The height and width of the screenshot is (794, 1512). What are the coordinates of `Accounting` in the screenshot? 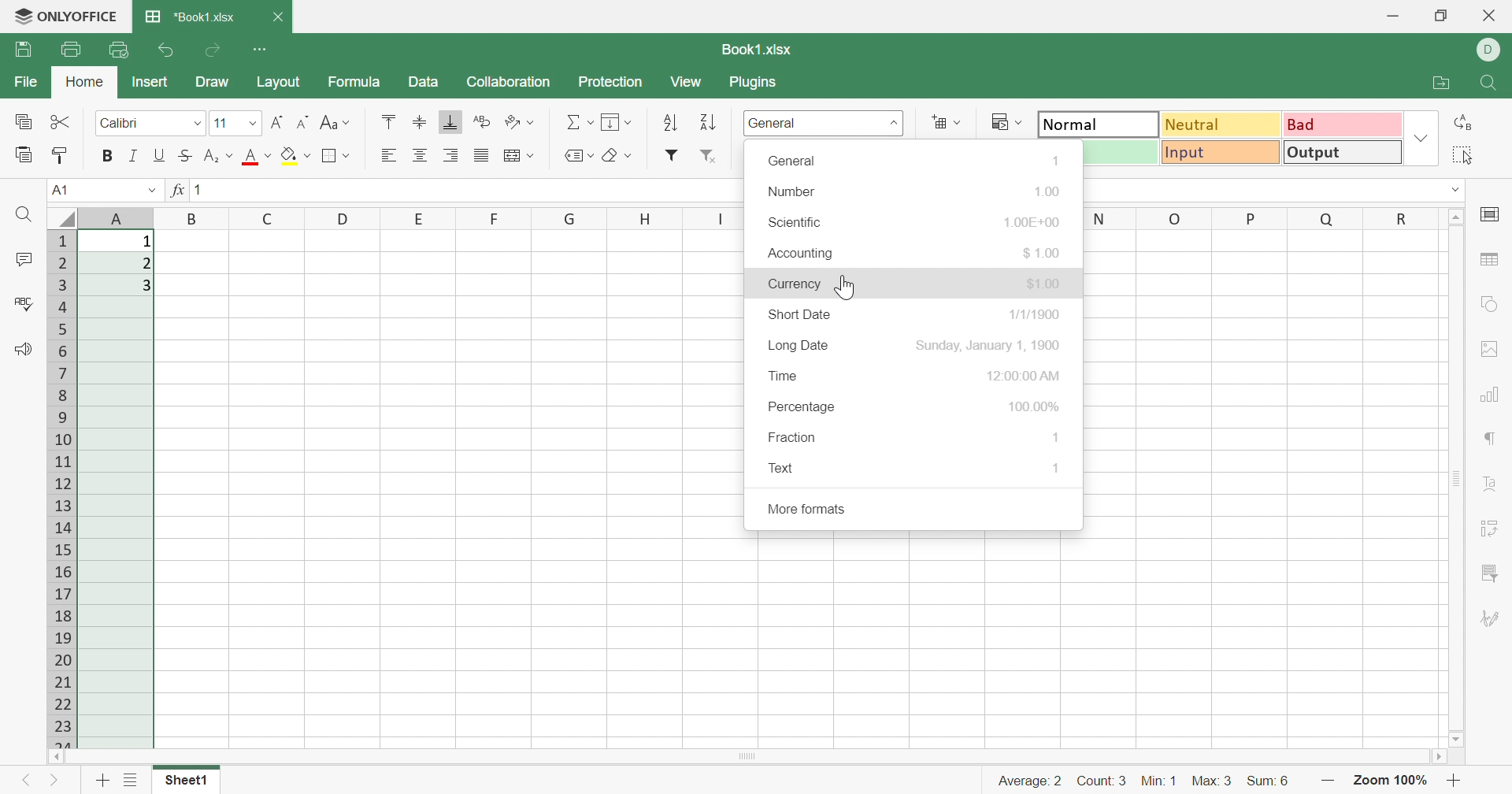 It's located at (799, 254).